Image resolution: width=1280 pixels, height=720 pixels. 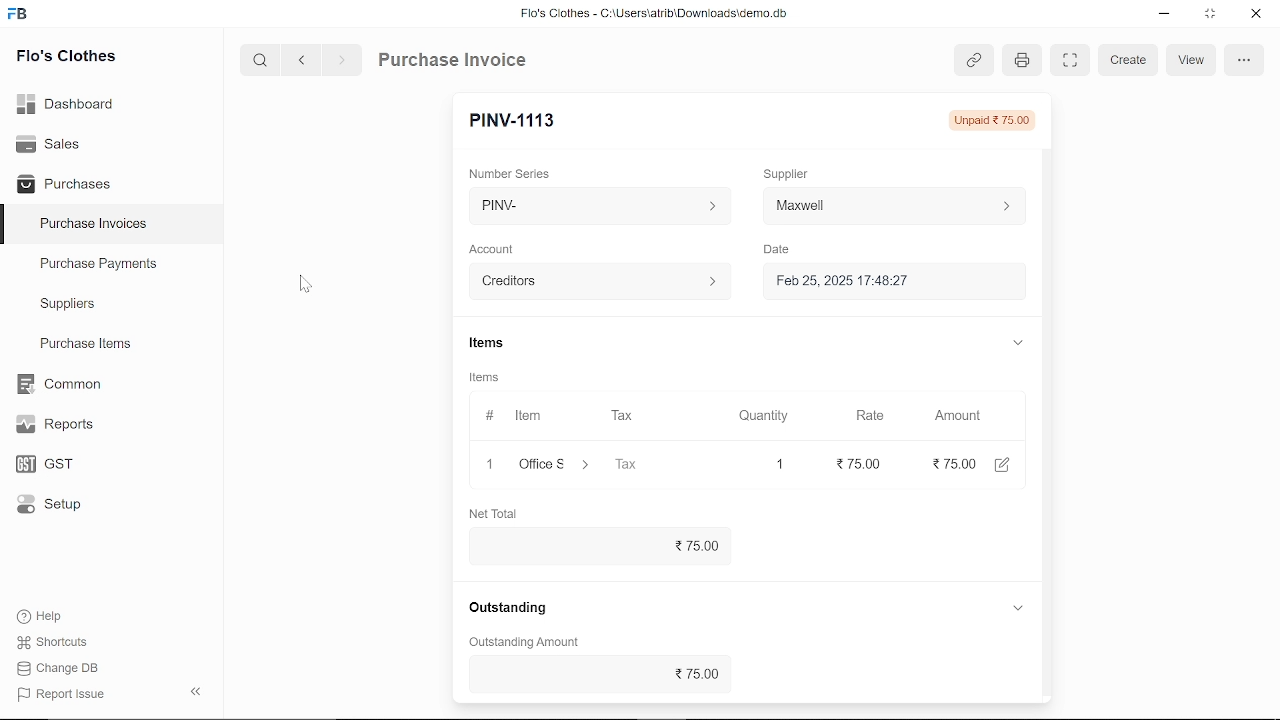 I want to click on minimize, so click(x=1162, y=14).